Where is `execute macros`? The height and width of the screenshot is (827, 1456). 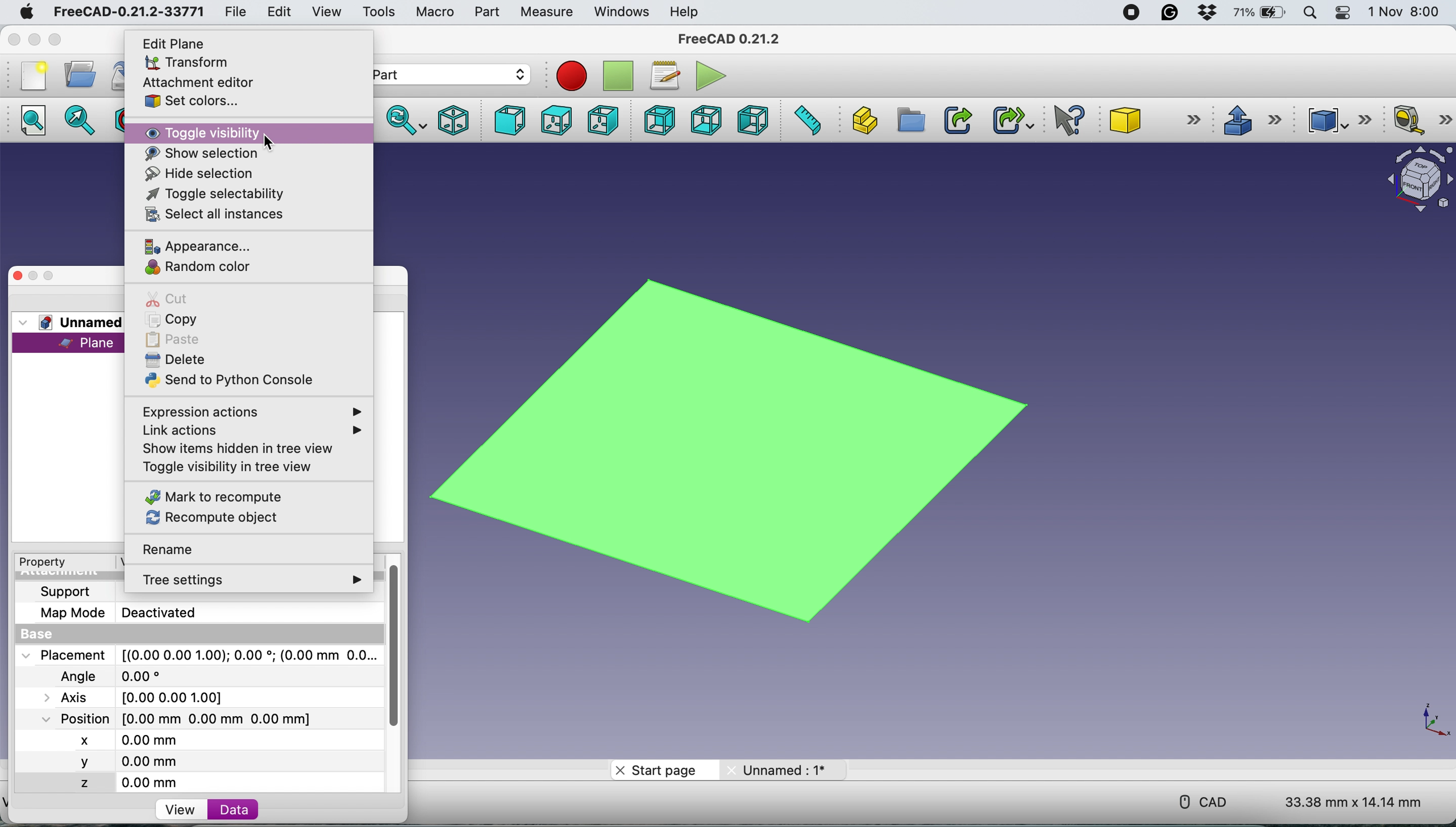
execute macros is located at coordinates (713, 76).